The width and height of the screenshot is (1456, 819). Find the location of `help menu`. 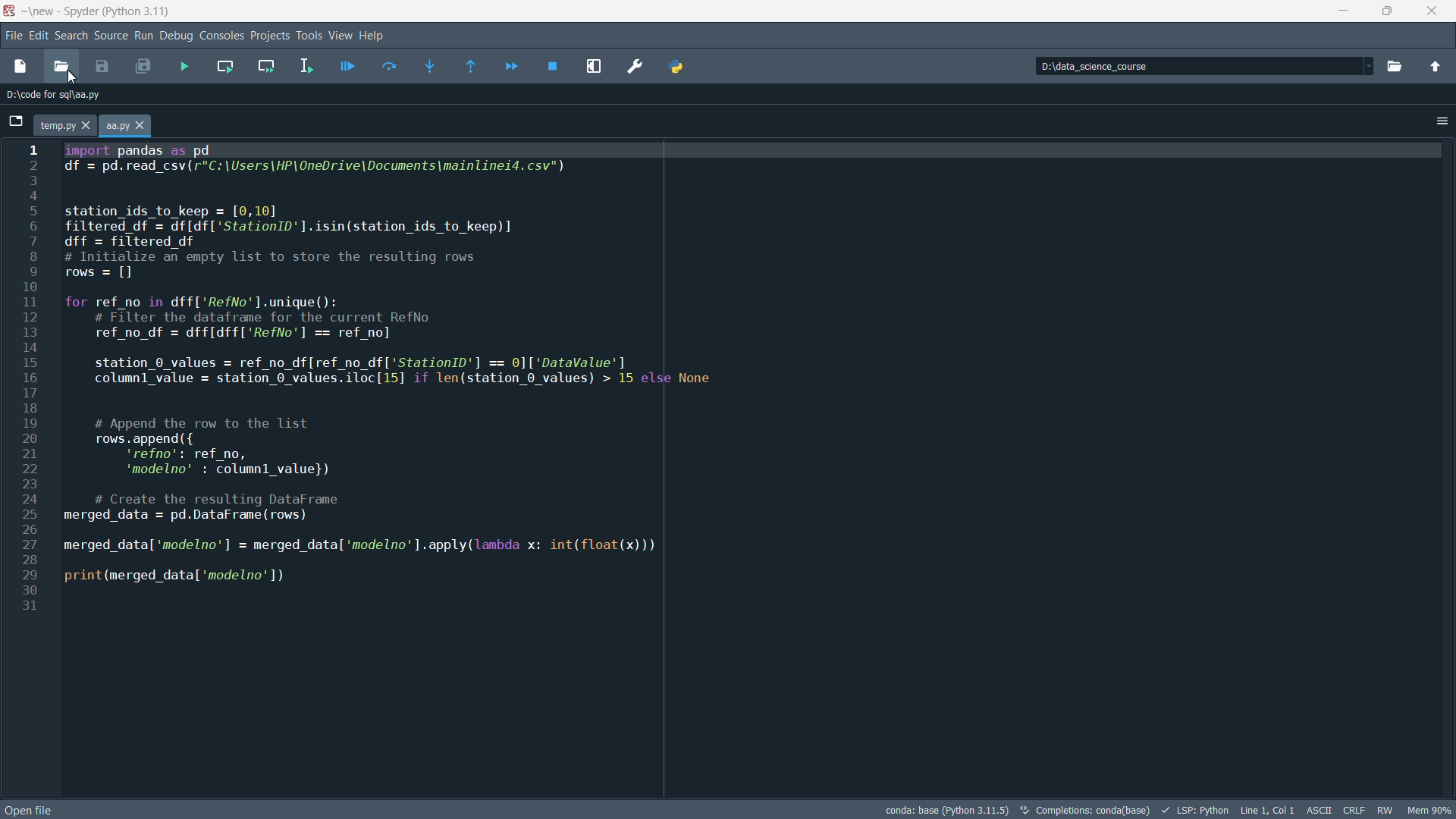

help menu is located at coordinates (373, 36).